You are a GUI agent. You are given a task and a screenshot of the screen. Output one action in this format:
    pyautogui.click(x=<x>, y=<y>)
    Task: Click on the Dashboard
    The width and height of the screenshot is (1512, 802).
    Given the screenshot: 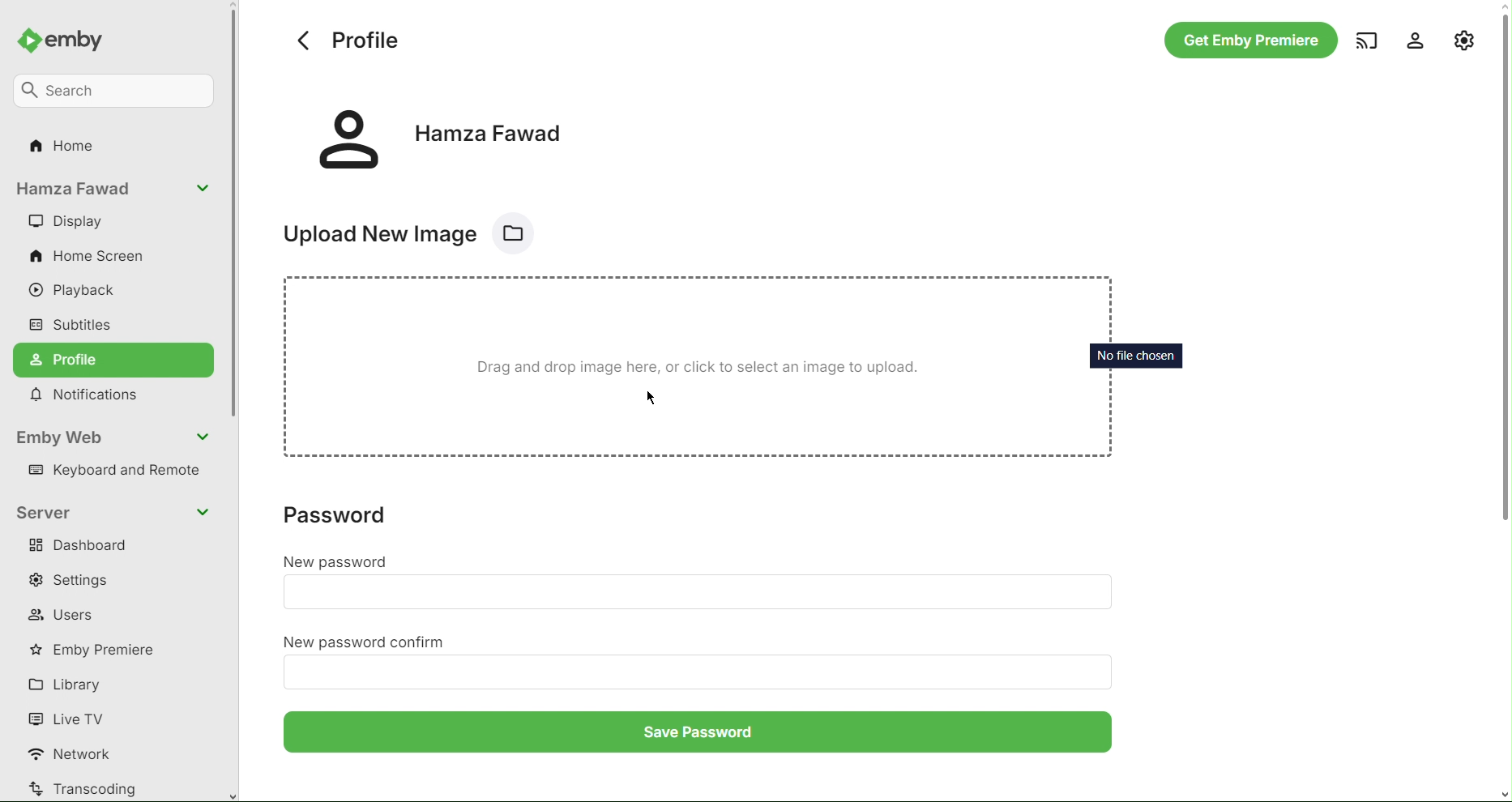 What is the action you would take?
    pyautogui.click(x=83, y=548)
    